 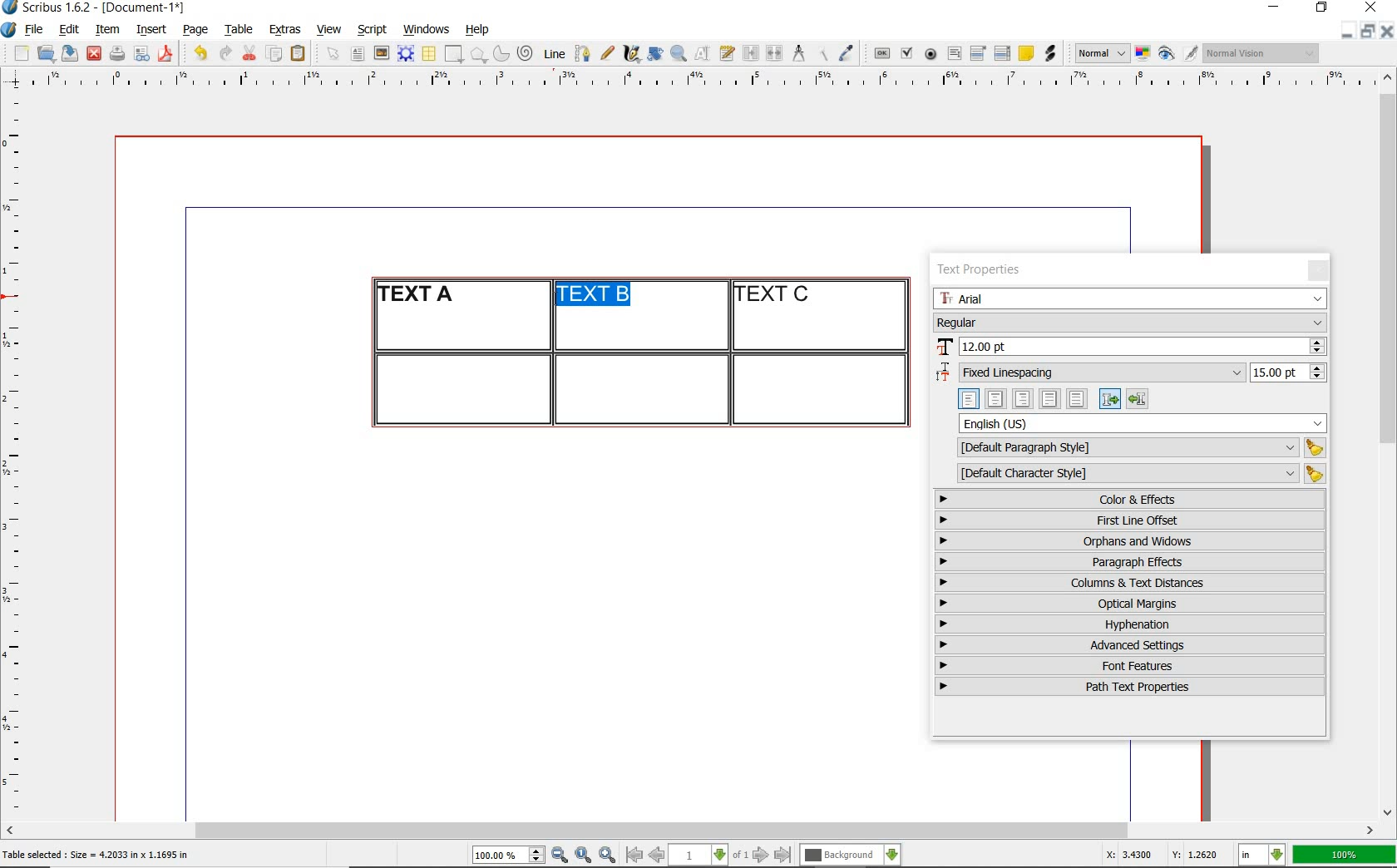 What do you see at coordinates (1131, 373) in the screenshot?
I see `fixed linespacing` at bounding box center [1131, 373].